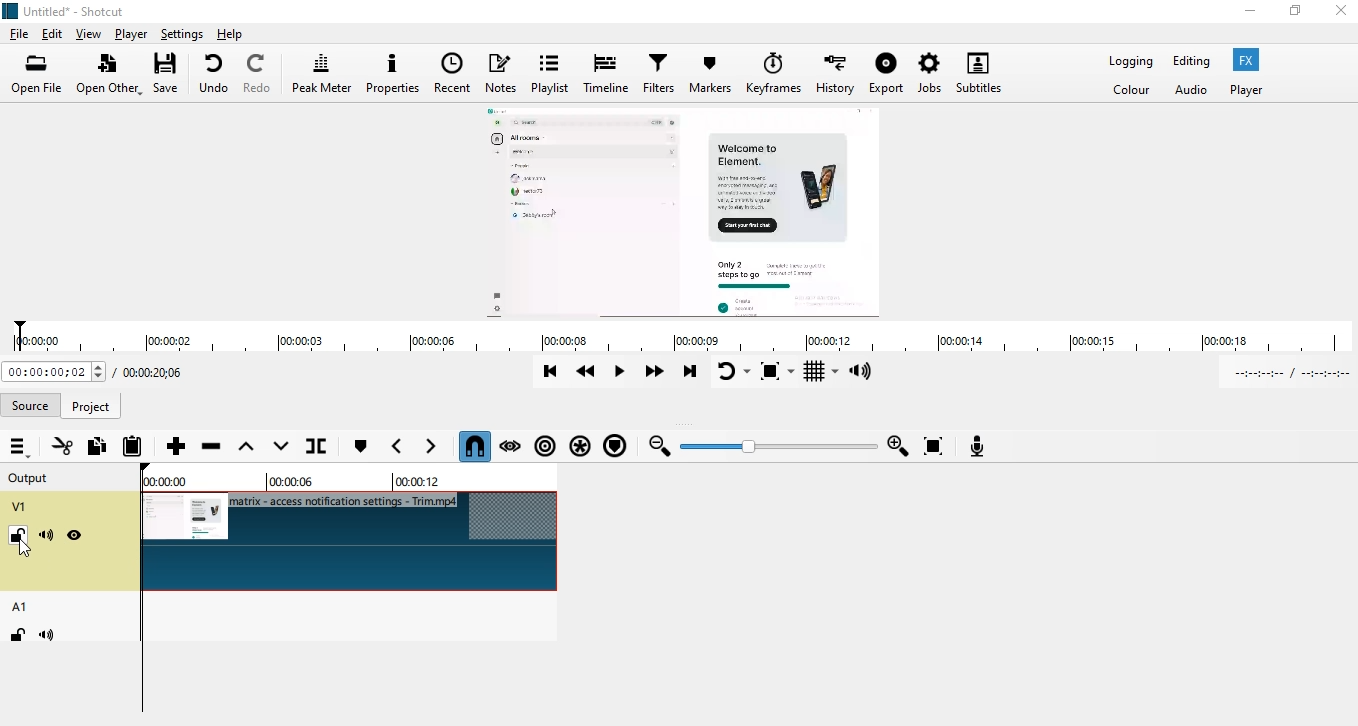 This screenshot has height=726, width=1358. What do you see at coordinates (821, 372) in the screenshot?
I see `Toggle grid display ` at bounding box center [821, 372].